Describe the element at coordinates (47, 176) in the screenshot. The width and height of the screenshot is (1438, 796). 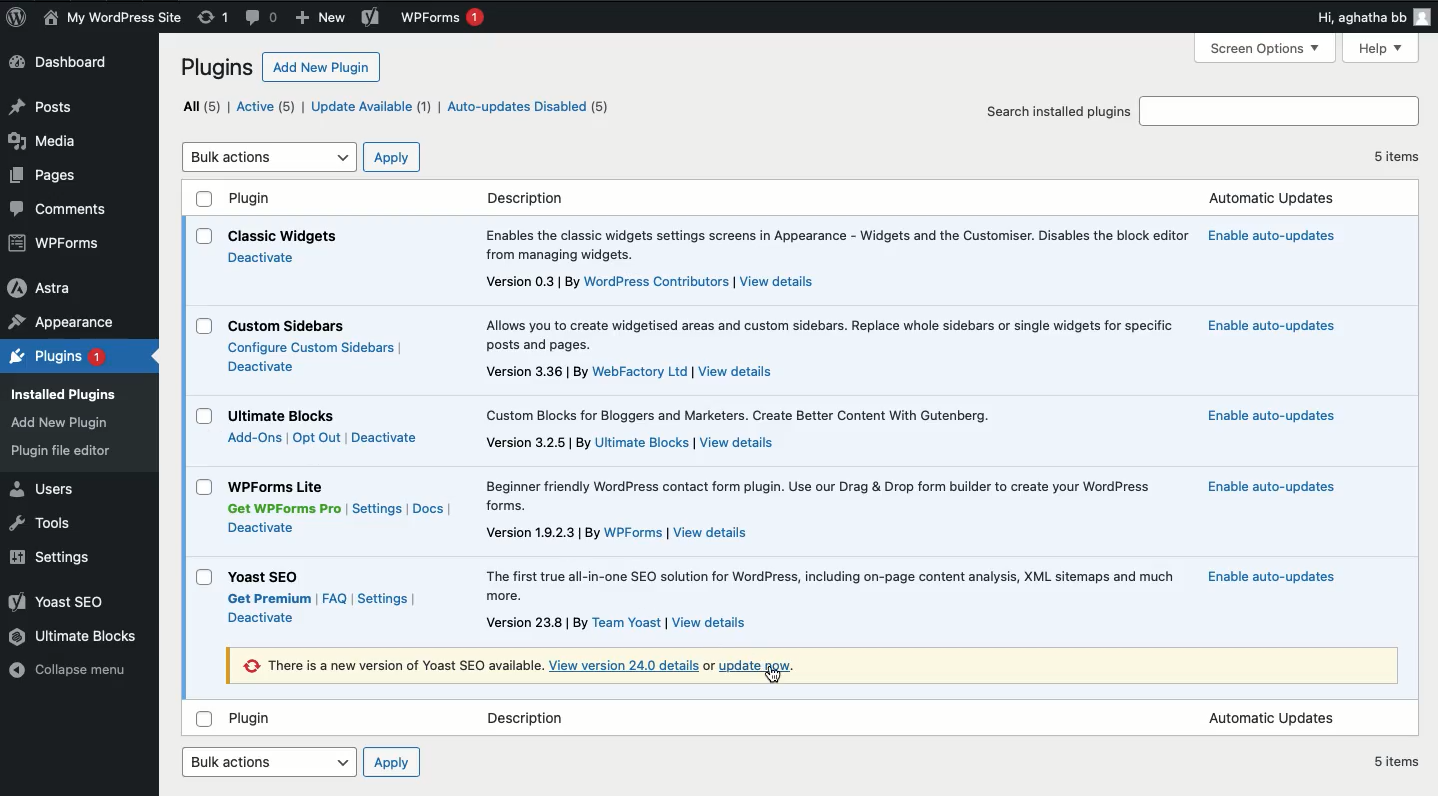
I see `Pages` at that location.